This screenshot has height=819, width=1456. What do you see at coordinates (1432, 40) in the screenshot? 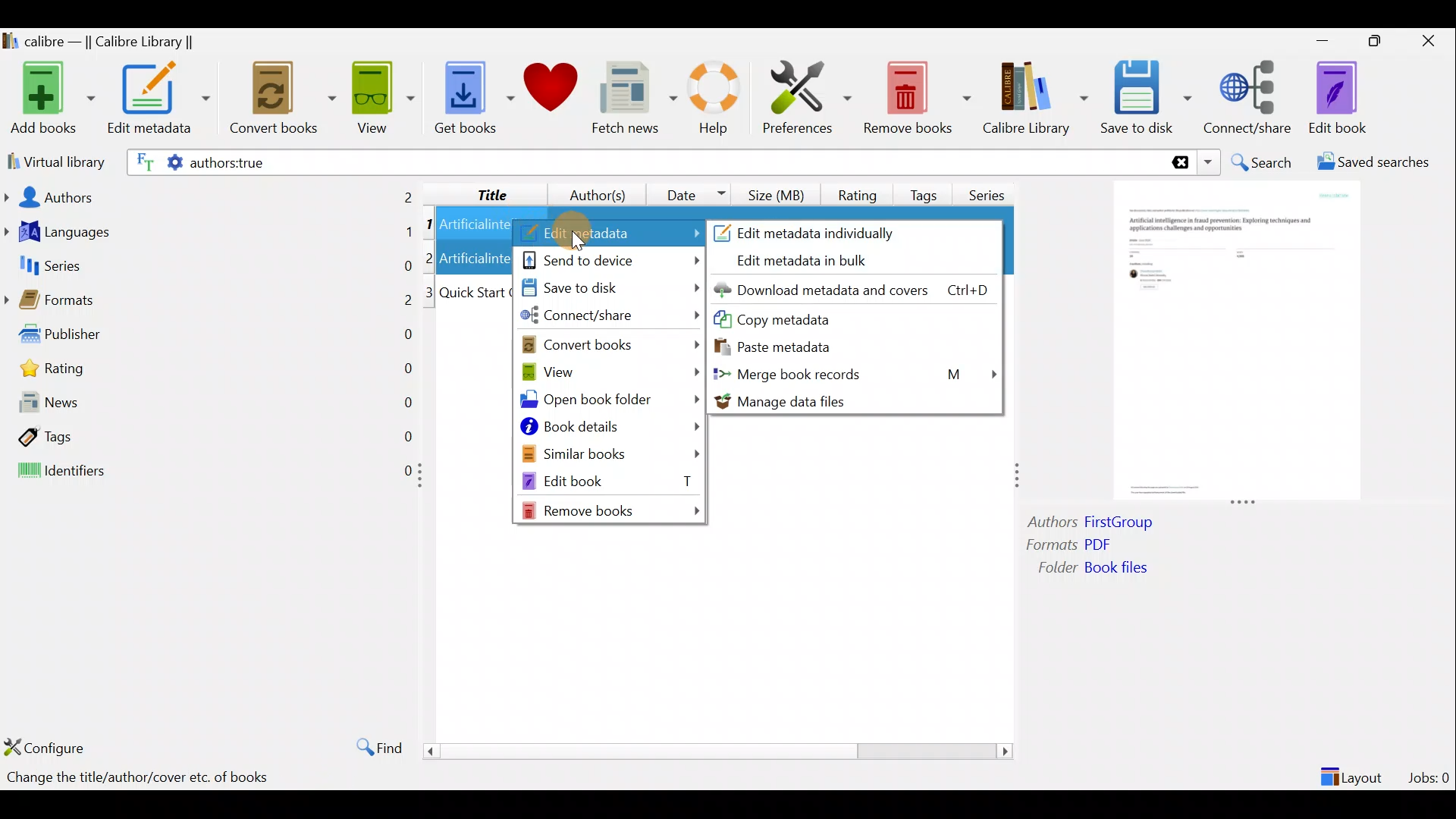
I see `Close` at bounding box center [1432, 40].